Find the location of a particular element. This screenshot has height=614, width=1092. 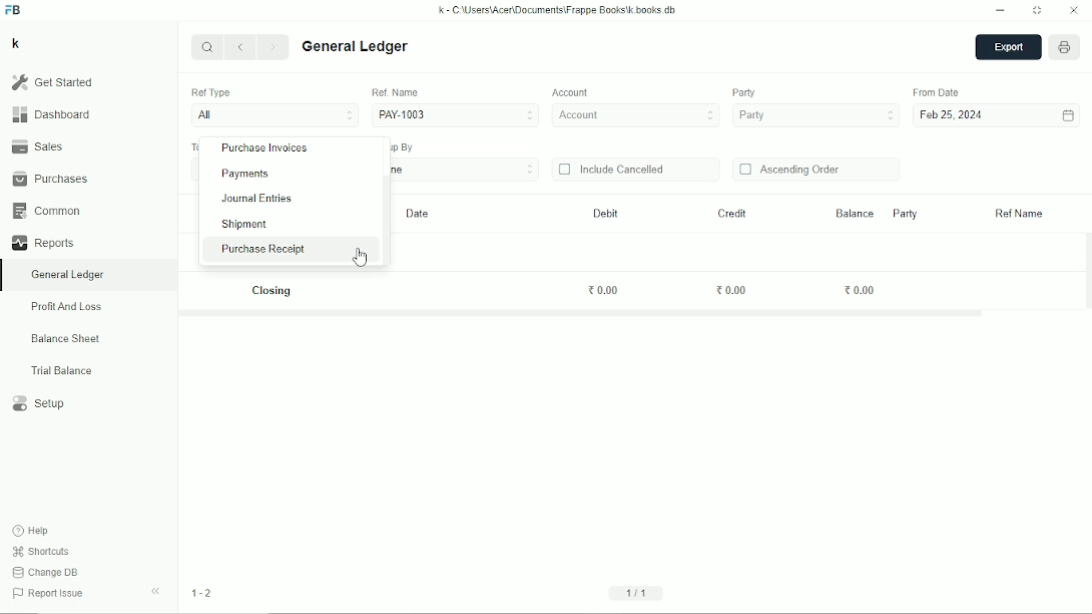

Export is located at coordinates (1008, 48).